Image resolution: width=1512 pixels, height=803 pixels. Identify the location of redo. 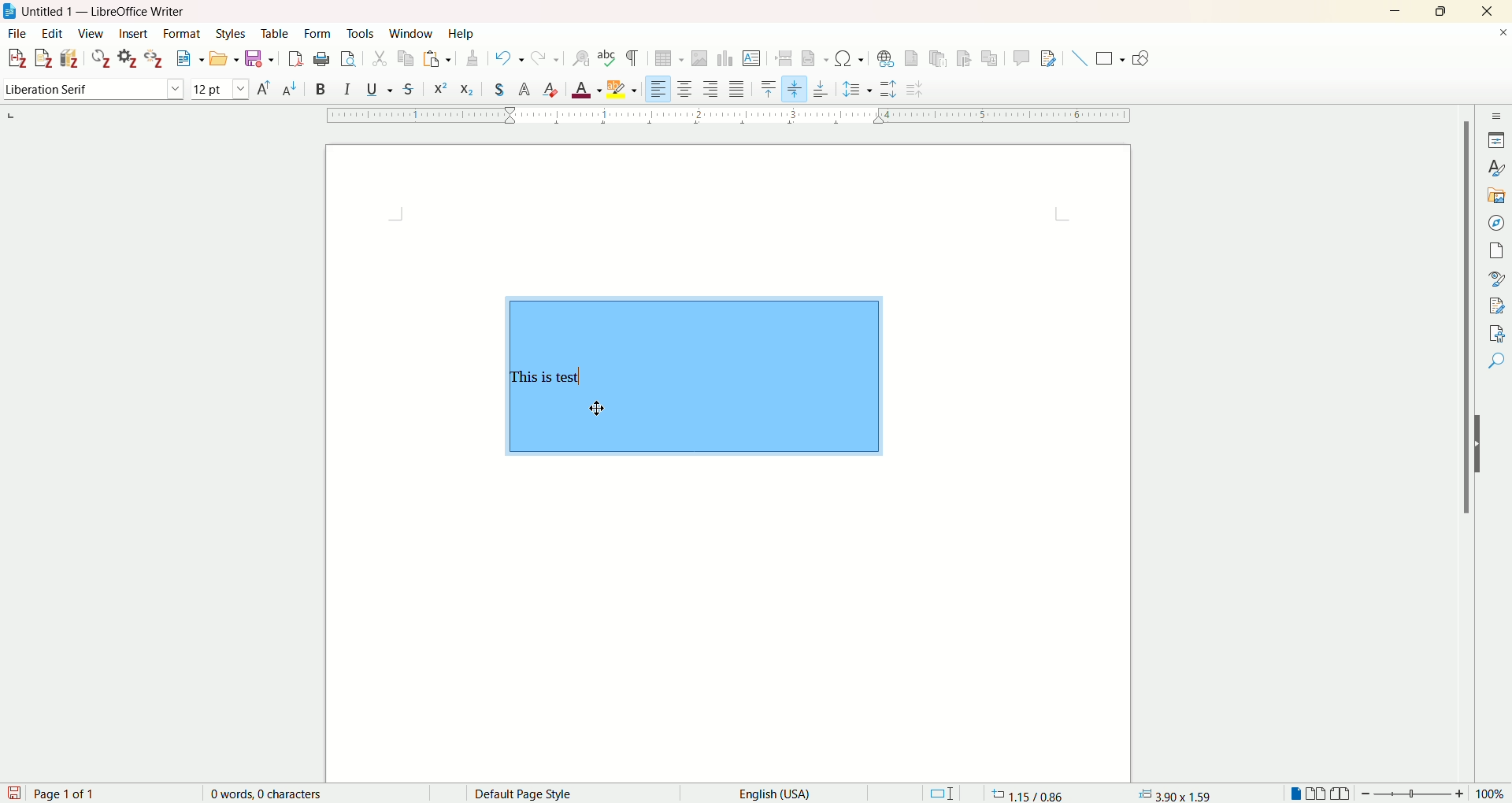
(544, 57).